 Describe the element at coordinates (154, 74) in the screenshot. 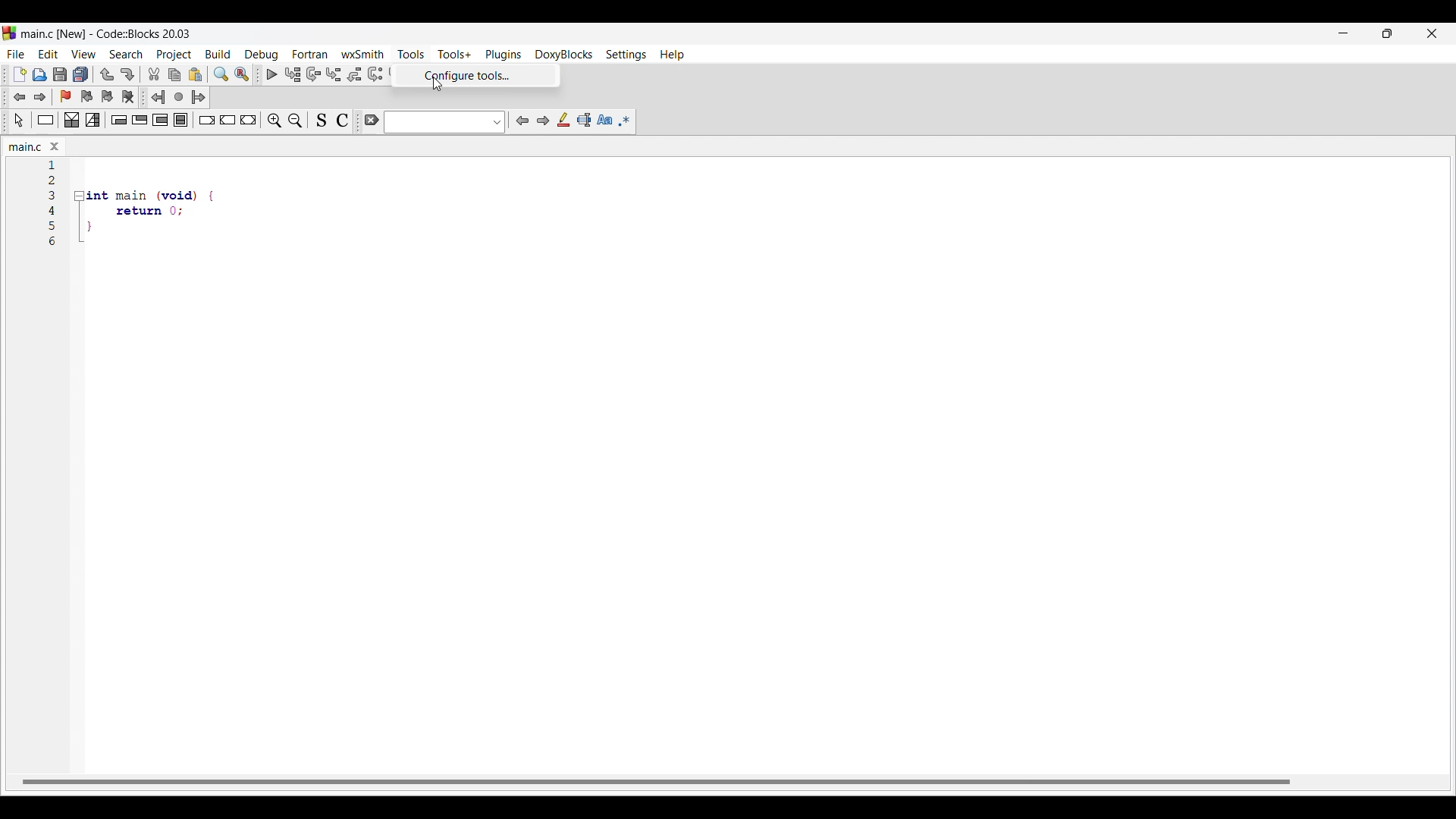

I see `Cut` at that location.